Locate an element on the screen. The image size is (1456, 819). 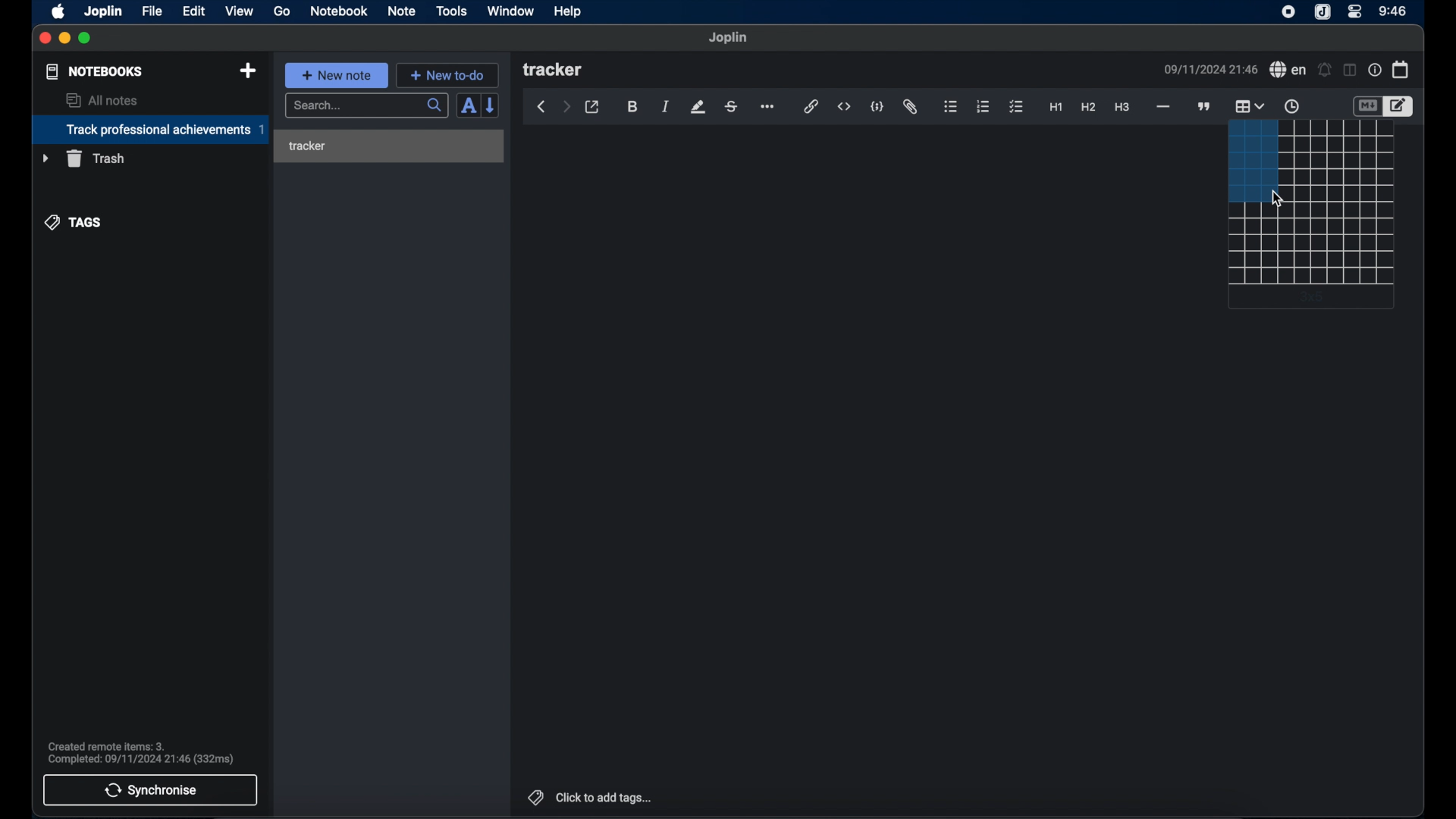
new note is located at coordinates (336, 74).